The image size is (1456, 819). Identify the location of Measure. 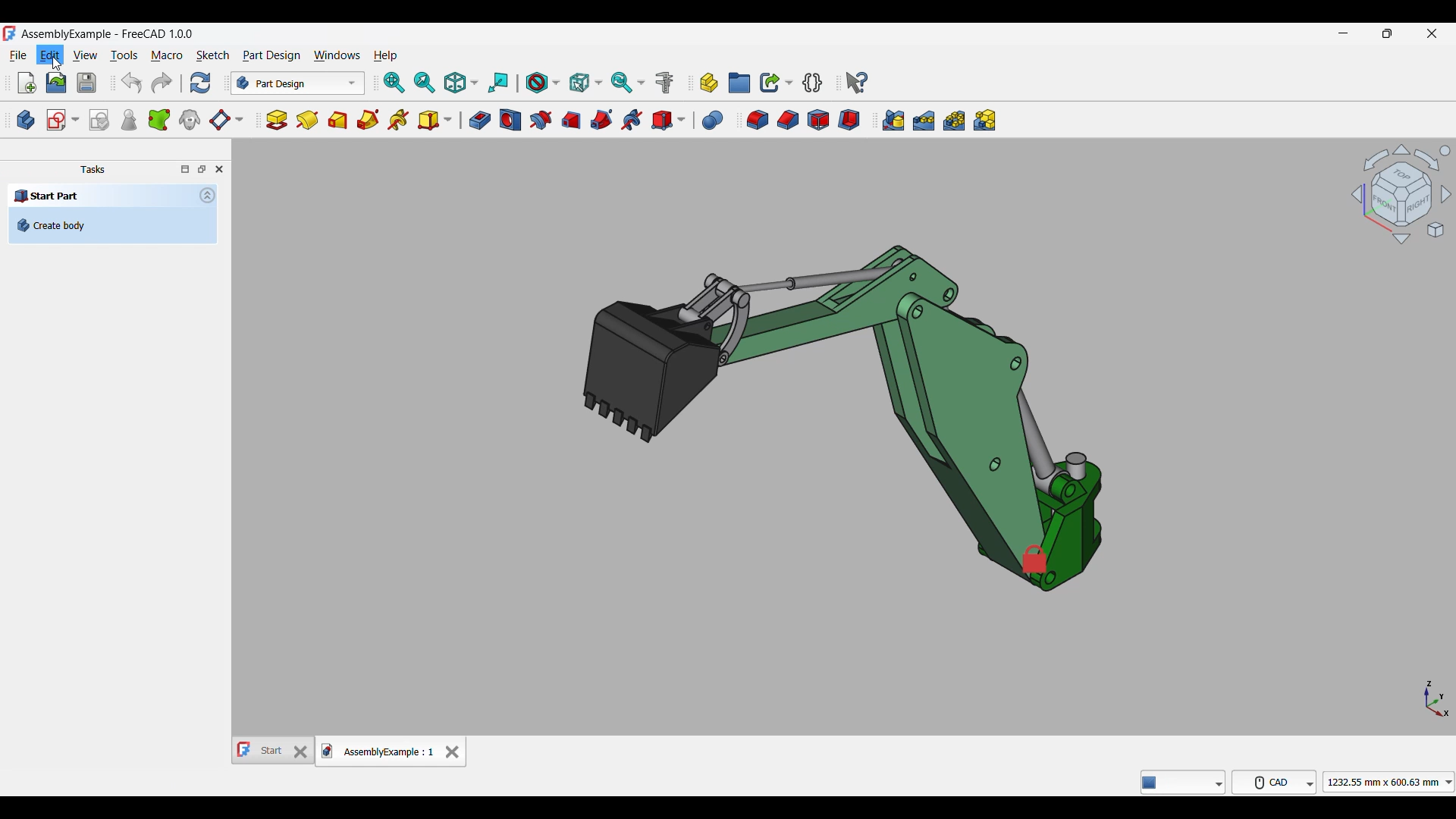
(665, 83).